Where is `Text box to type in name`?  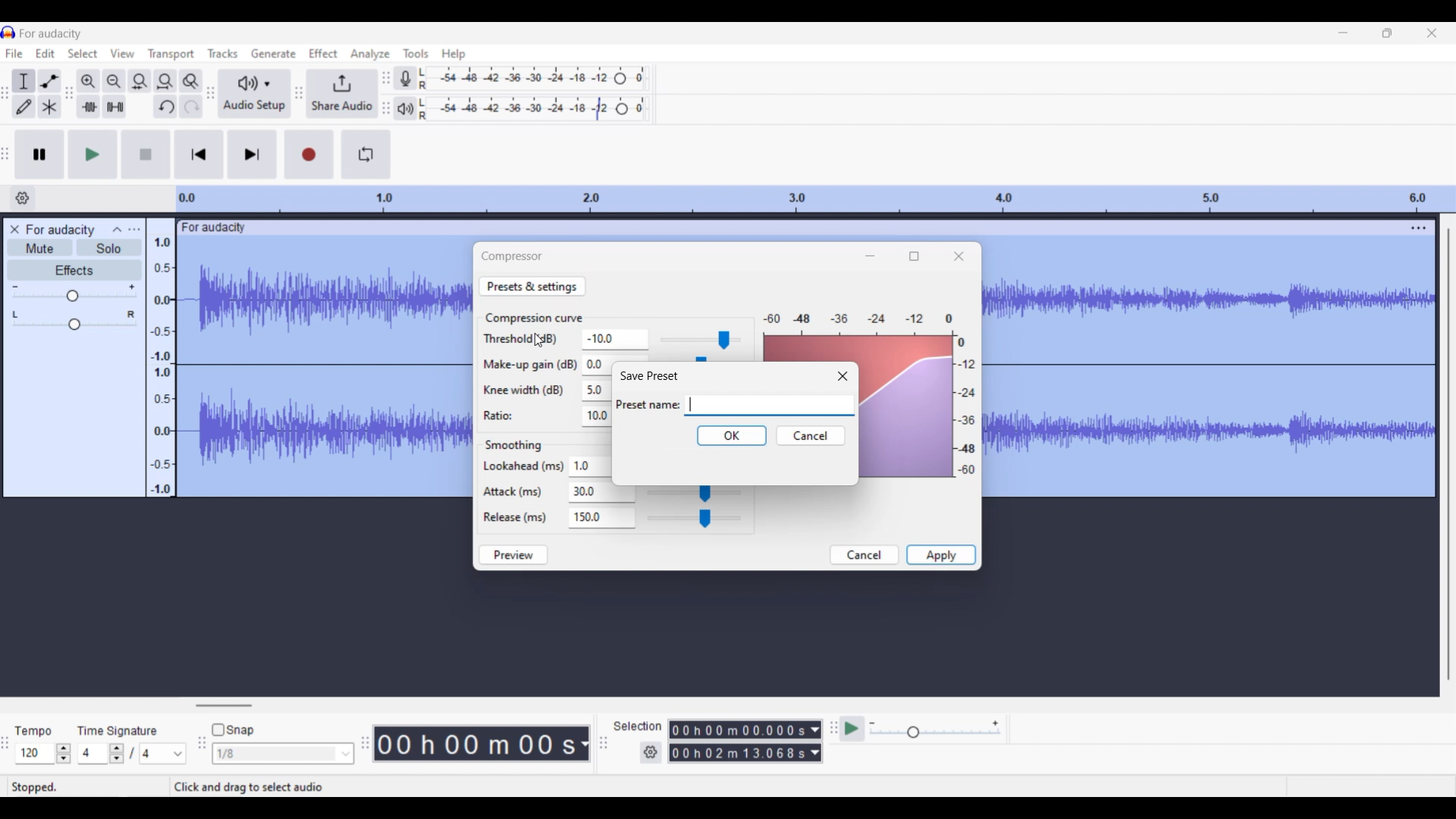
Text box to type in name is located at coordinates (768, 406).